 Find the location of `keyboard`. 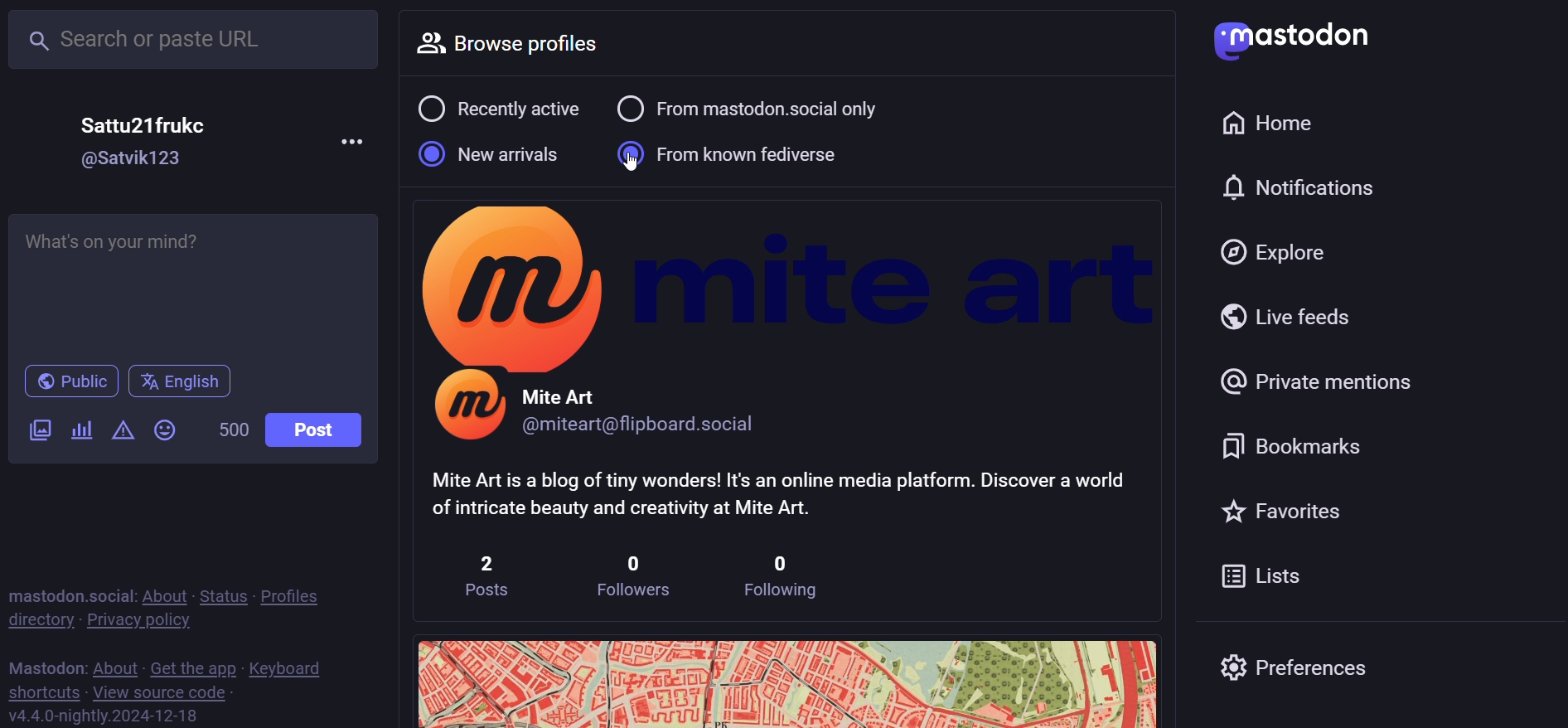

keyboard is located at coordinates (293, 668).